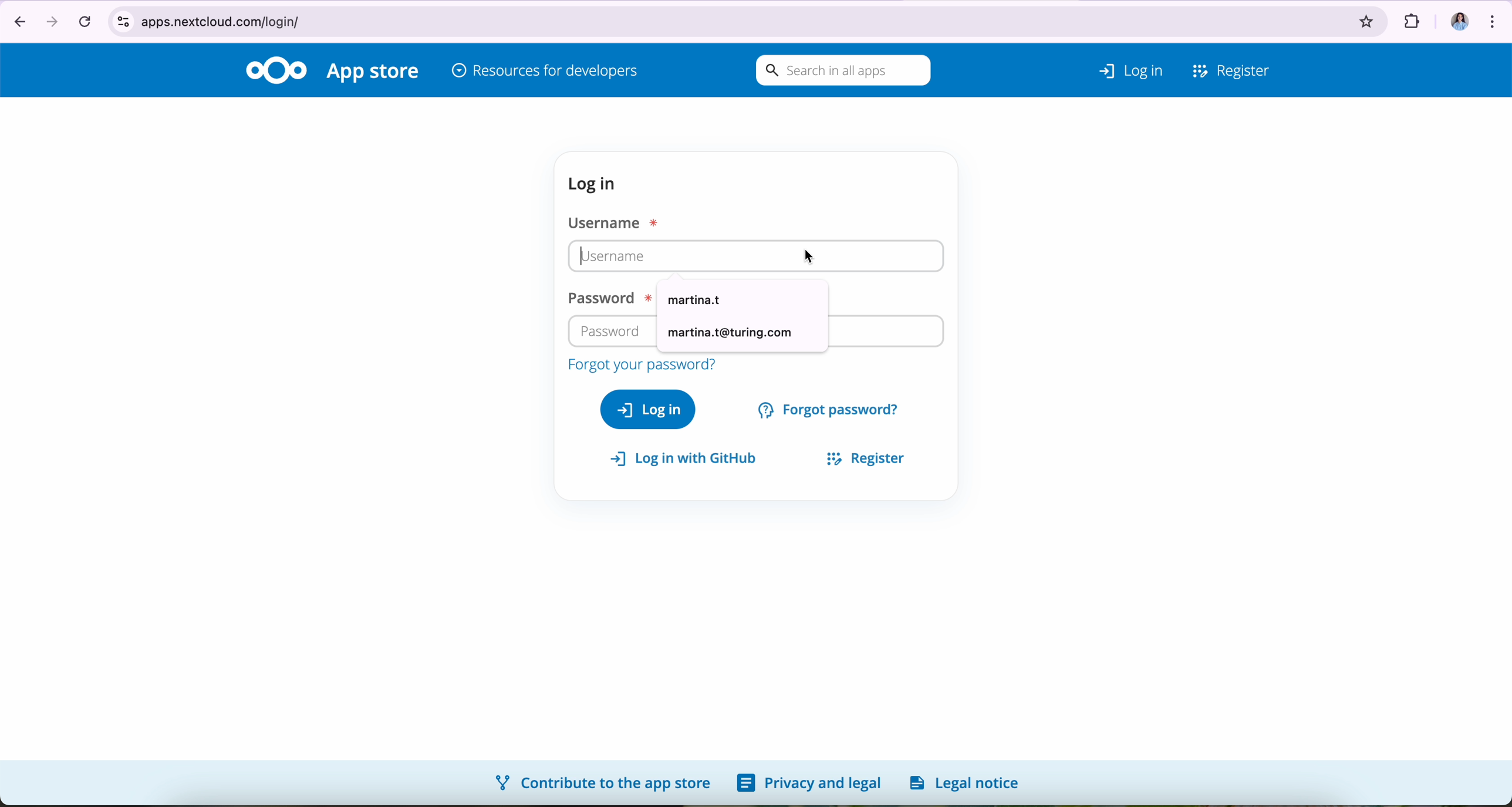 This screenshot has width=1512, height=807. I want to click on extensions, so click(1410, 18).